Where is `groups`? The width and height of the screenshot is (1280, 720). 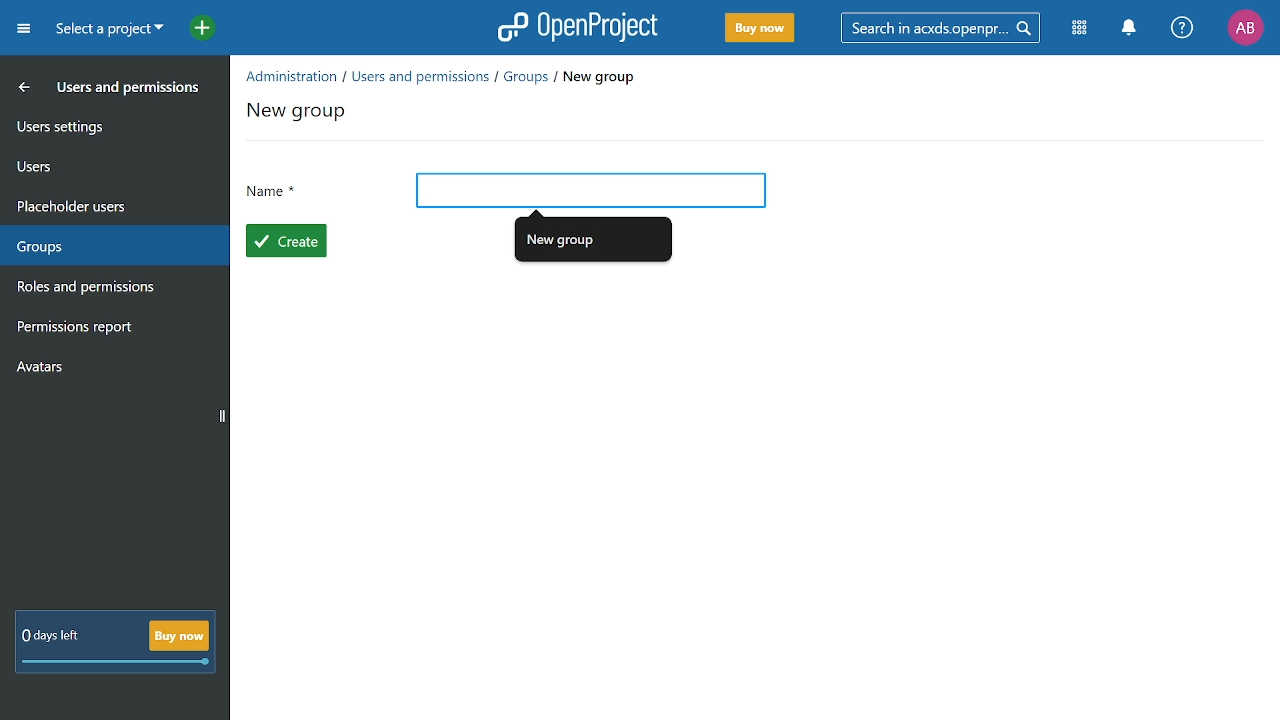
groups is located at coordinates (107, 247).